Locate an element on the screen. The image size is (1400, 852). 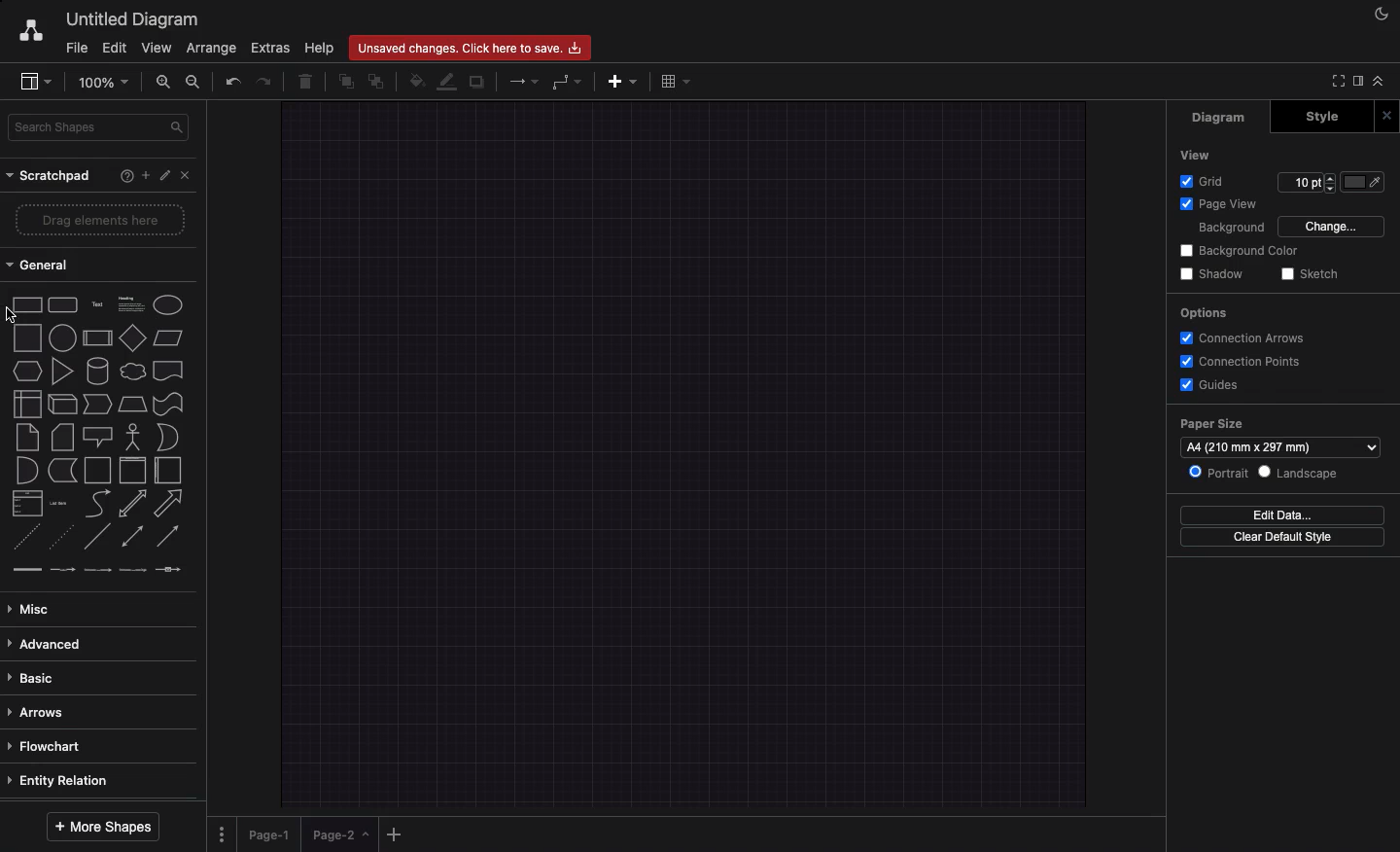
More shapes is located at coordinates (105, 823).